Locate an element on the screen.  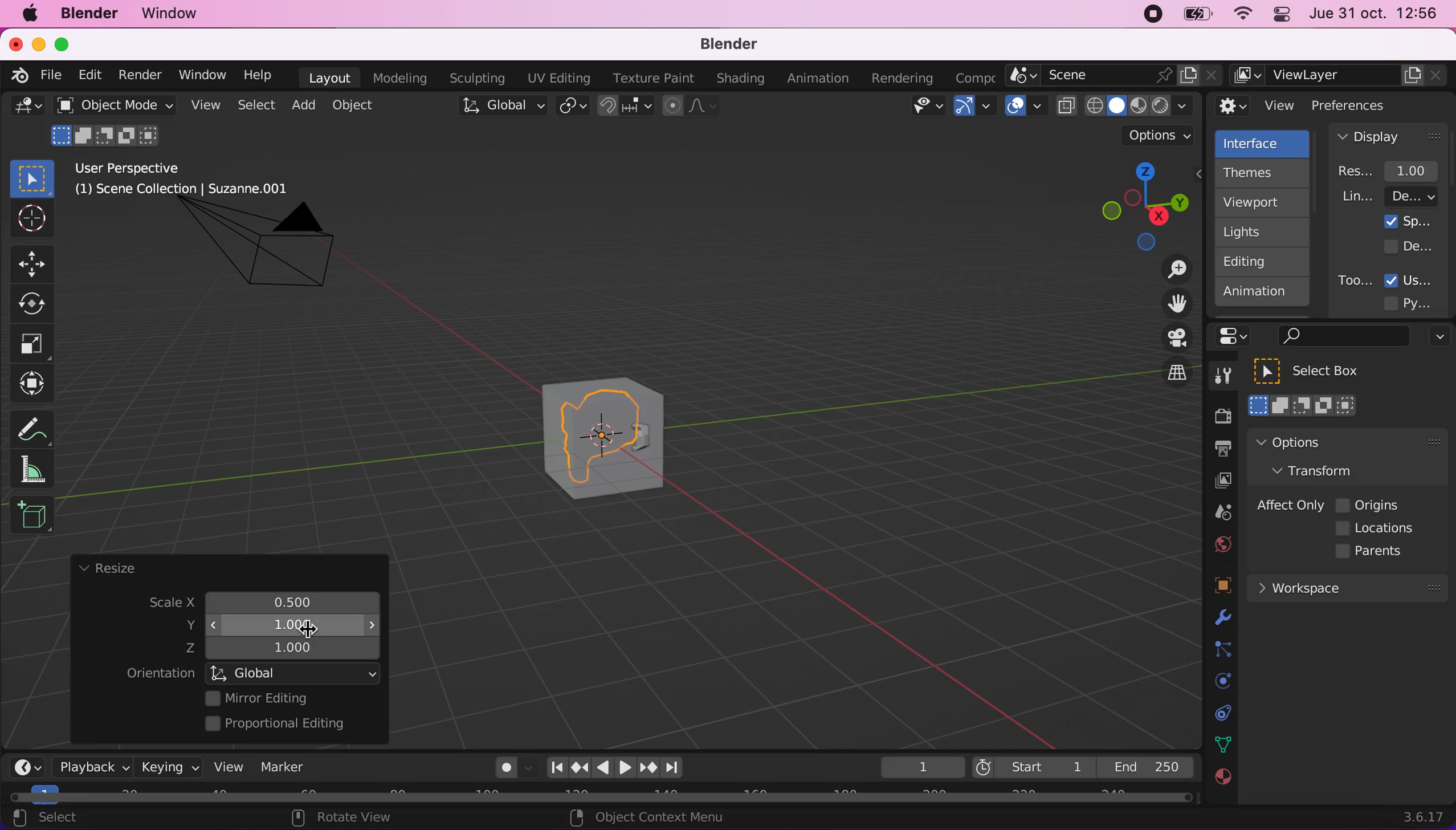
measure is located at coordinates (40, 469).